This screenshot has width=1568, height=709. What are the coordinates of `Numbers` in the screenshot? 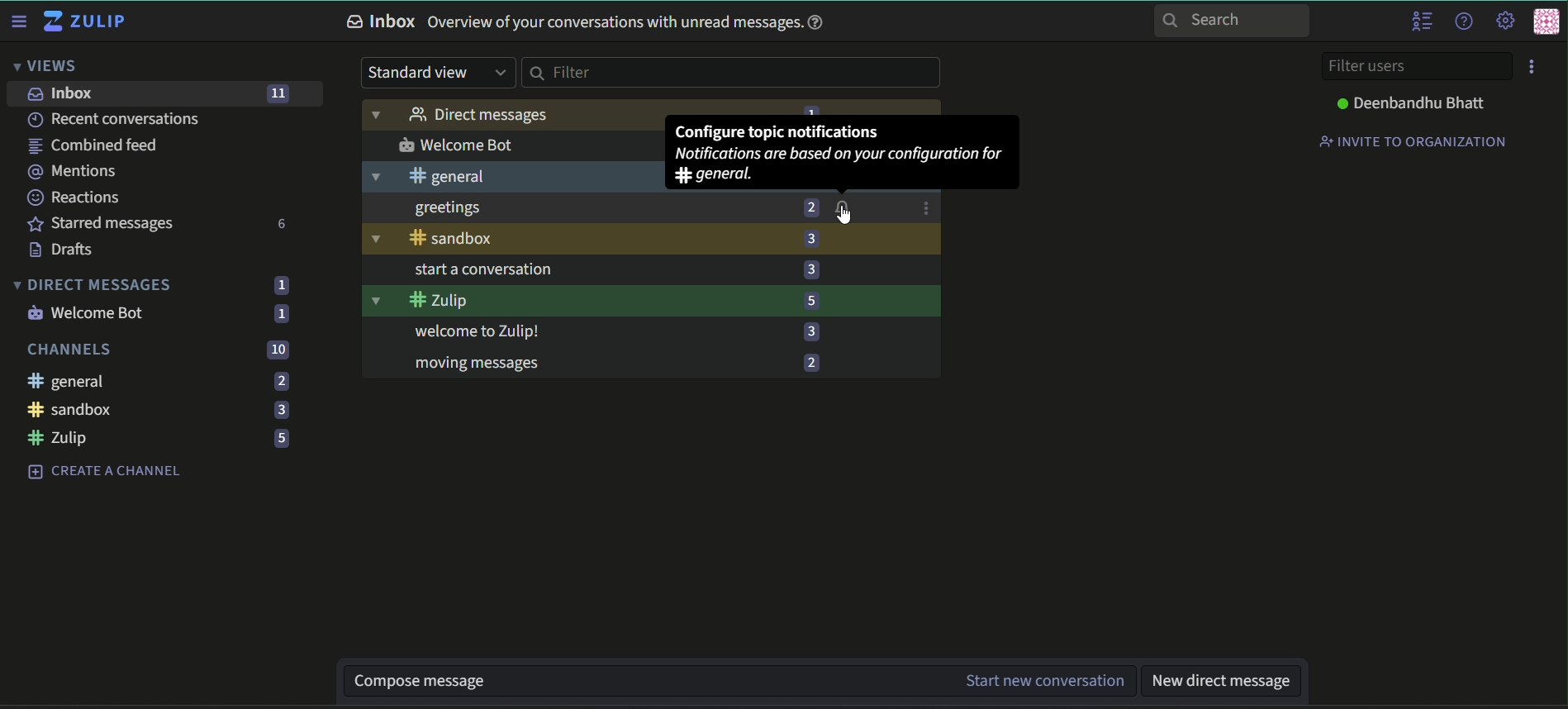 It's located at (277, 381).